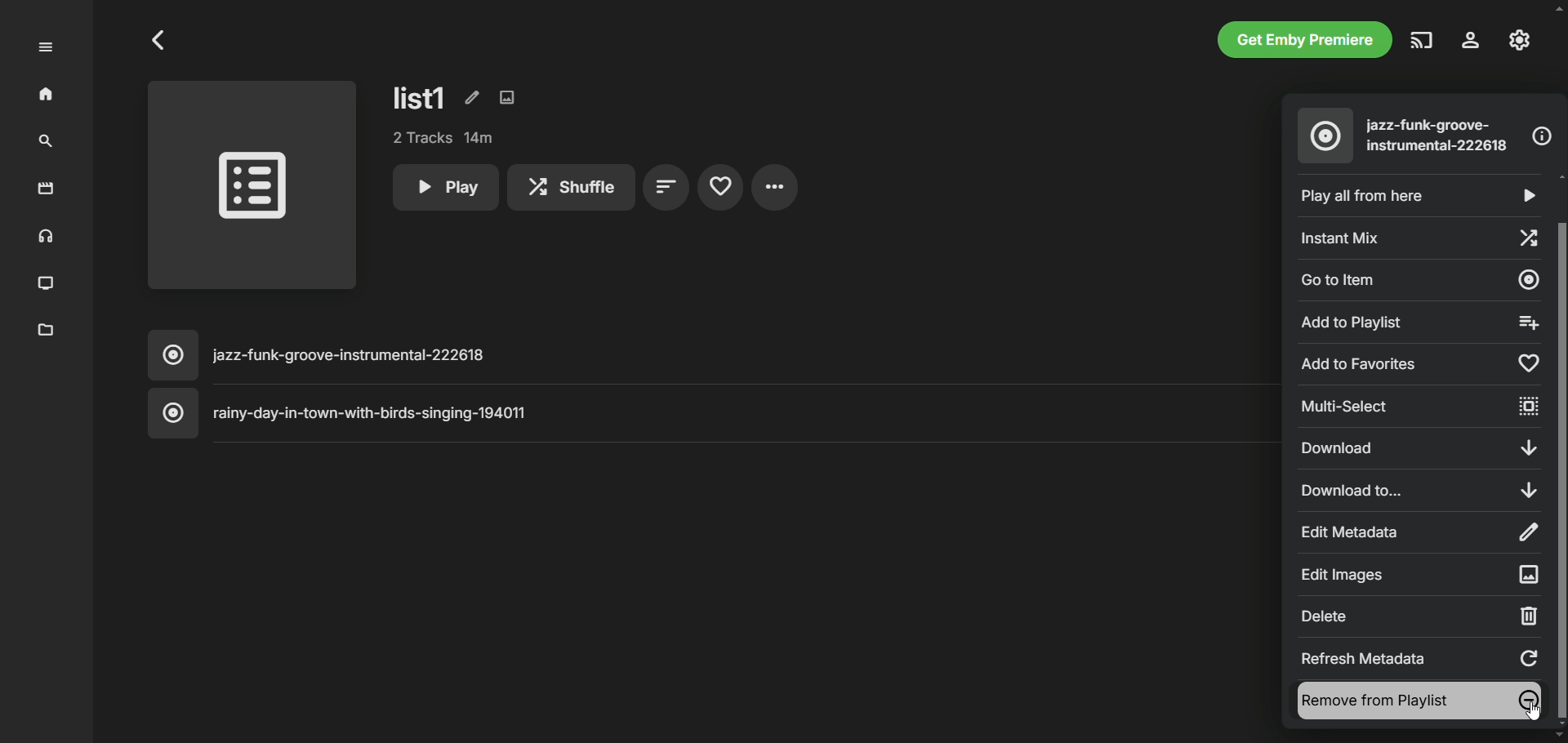  I want to click on remove from playlist, so click(1419, 701).